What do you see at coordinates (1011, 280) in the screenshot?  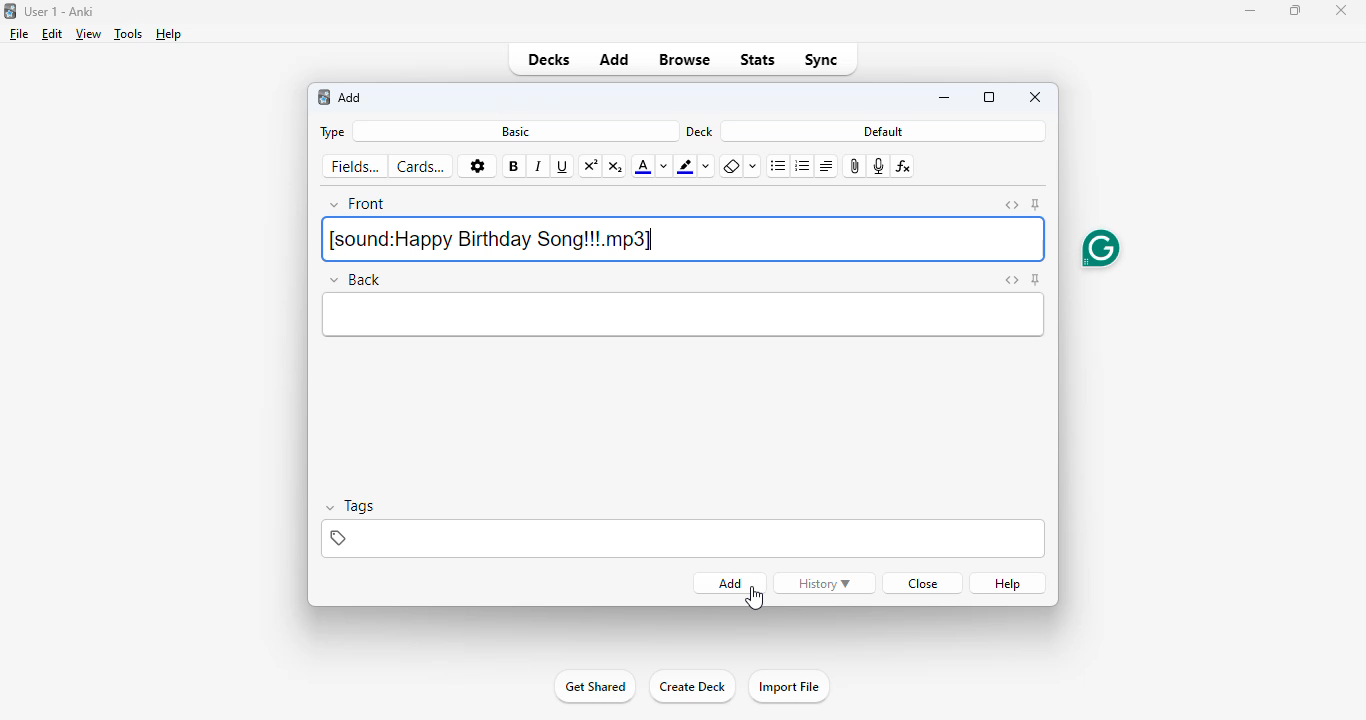 I see `toggle HTML editor` at bounding box center [1011, 280].